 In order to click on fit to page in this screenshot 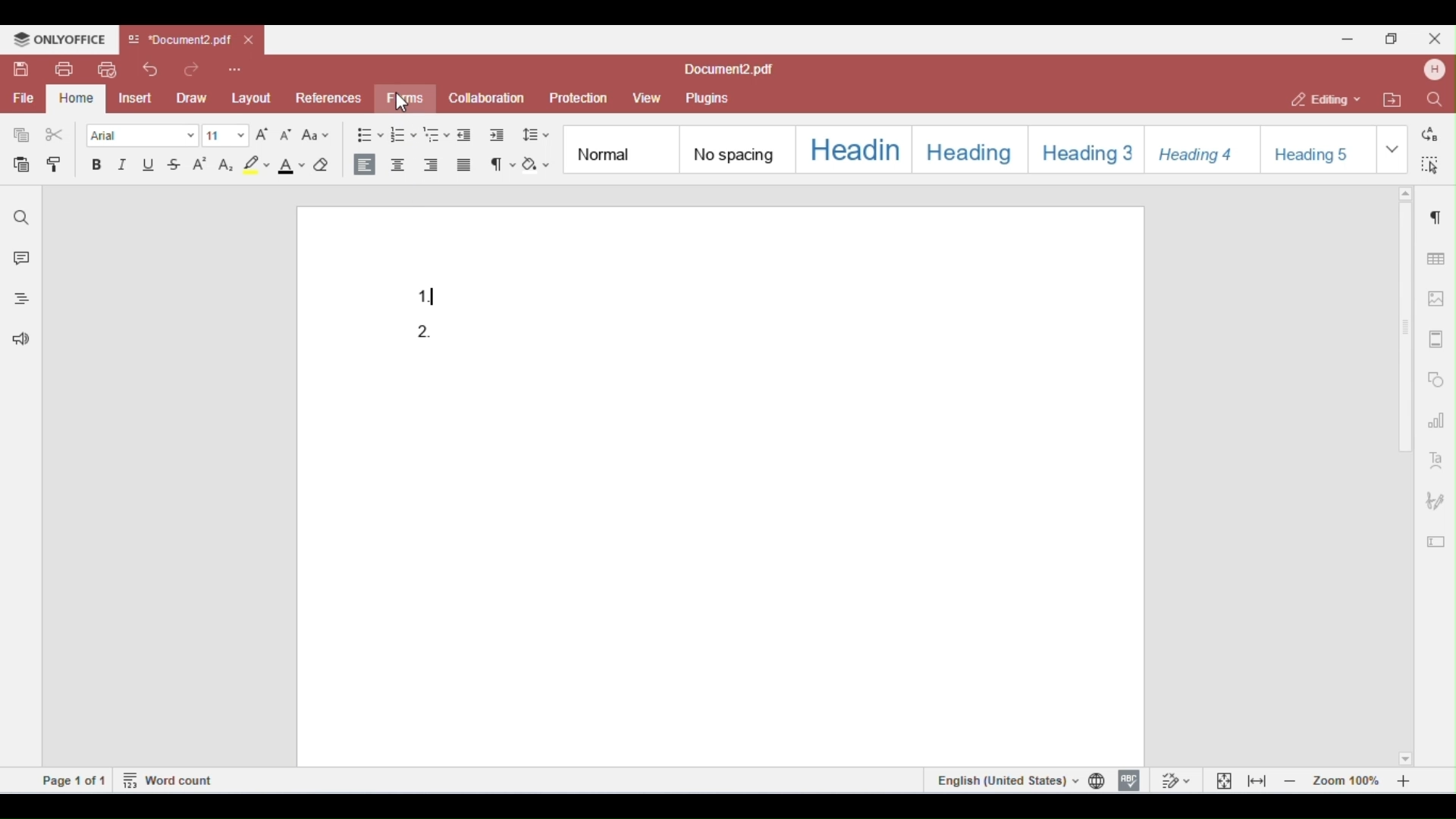, I will do `click(1225, 780)`.